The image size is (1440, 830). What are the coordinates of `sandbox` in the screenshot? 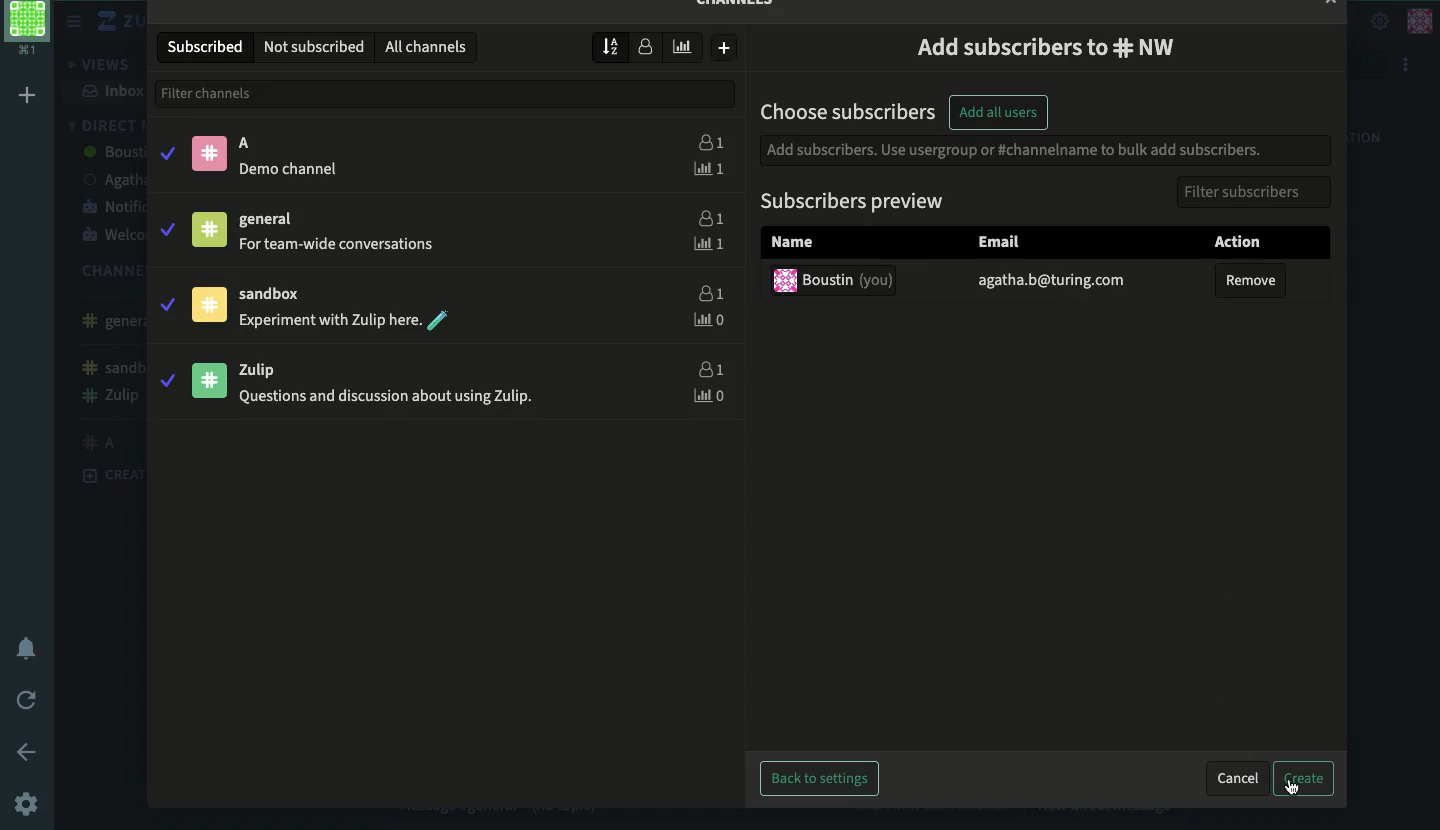 It's located at (278, 294).